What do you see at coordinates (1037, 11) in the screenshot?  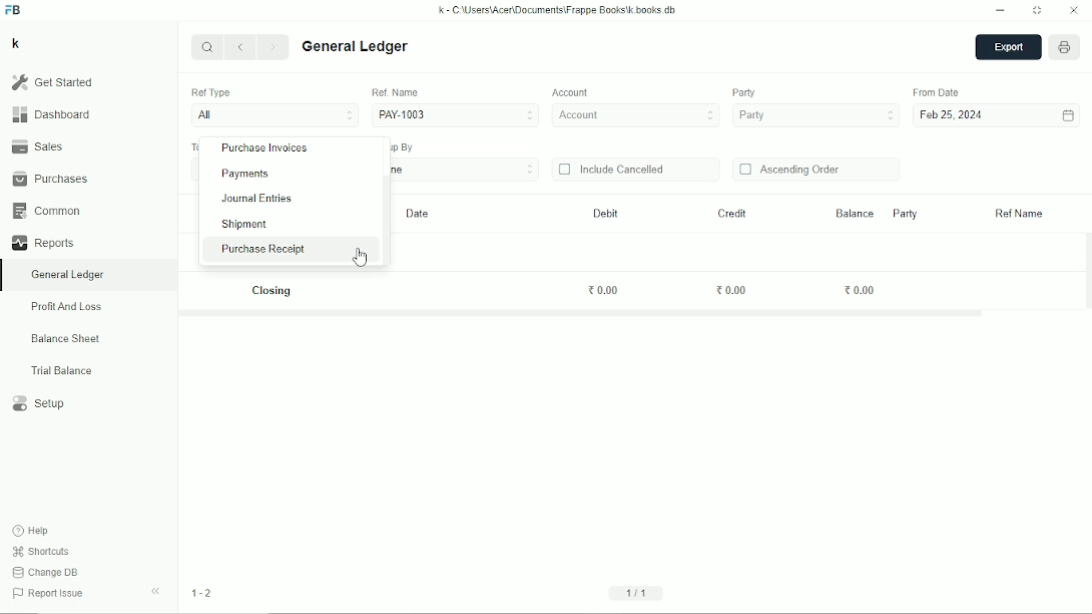 I see `Toggle between form and full width` at bounding box center [1037, 11].